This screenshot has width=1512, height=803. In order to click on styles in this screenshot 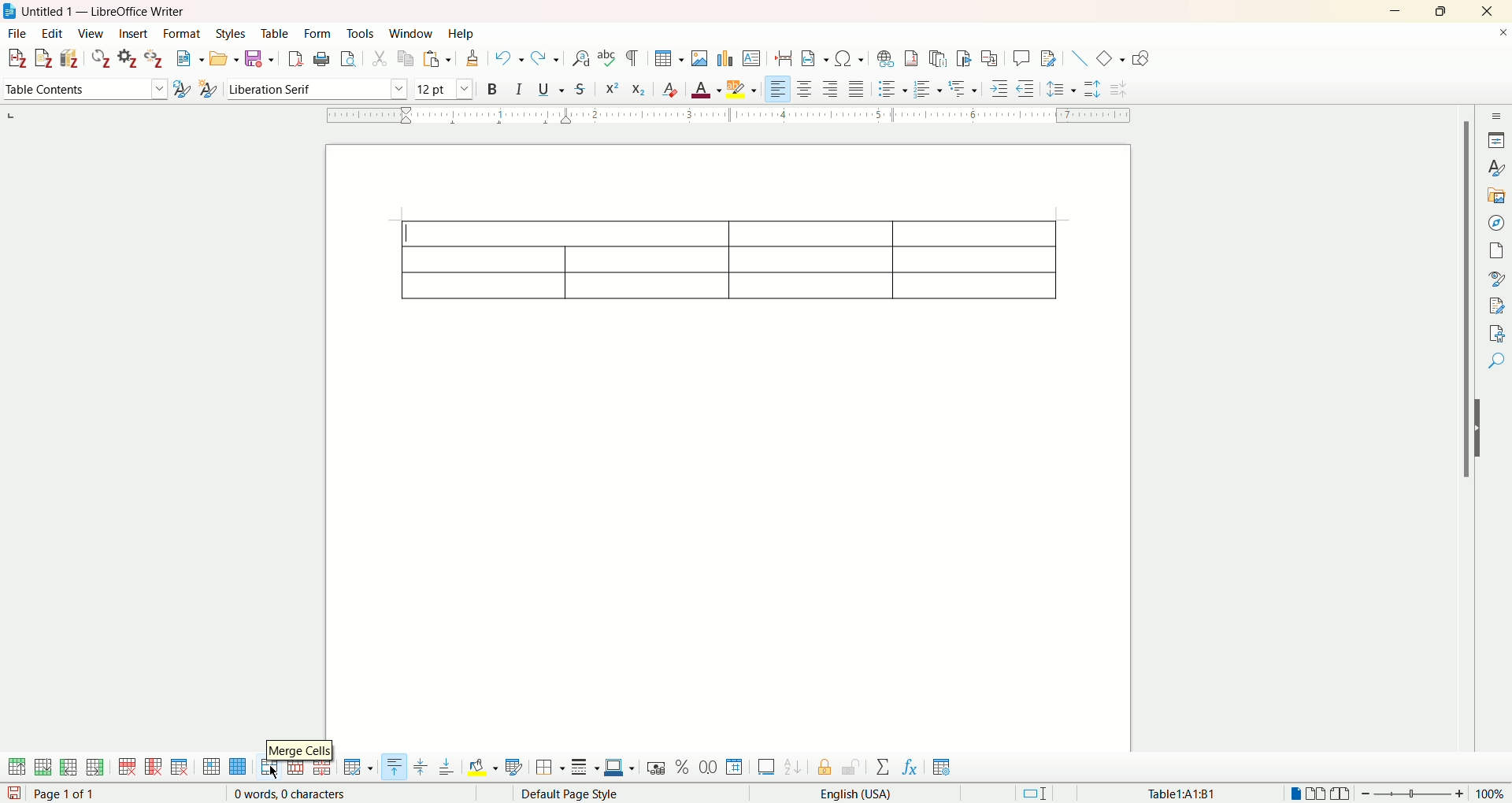, I will do `click(233, 34)`.